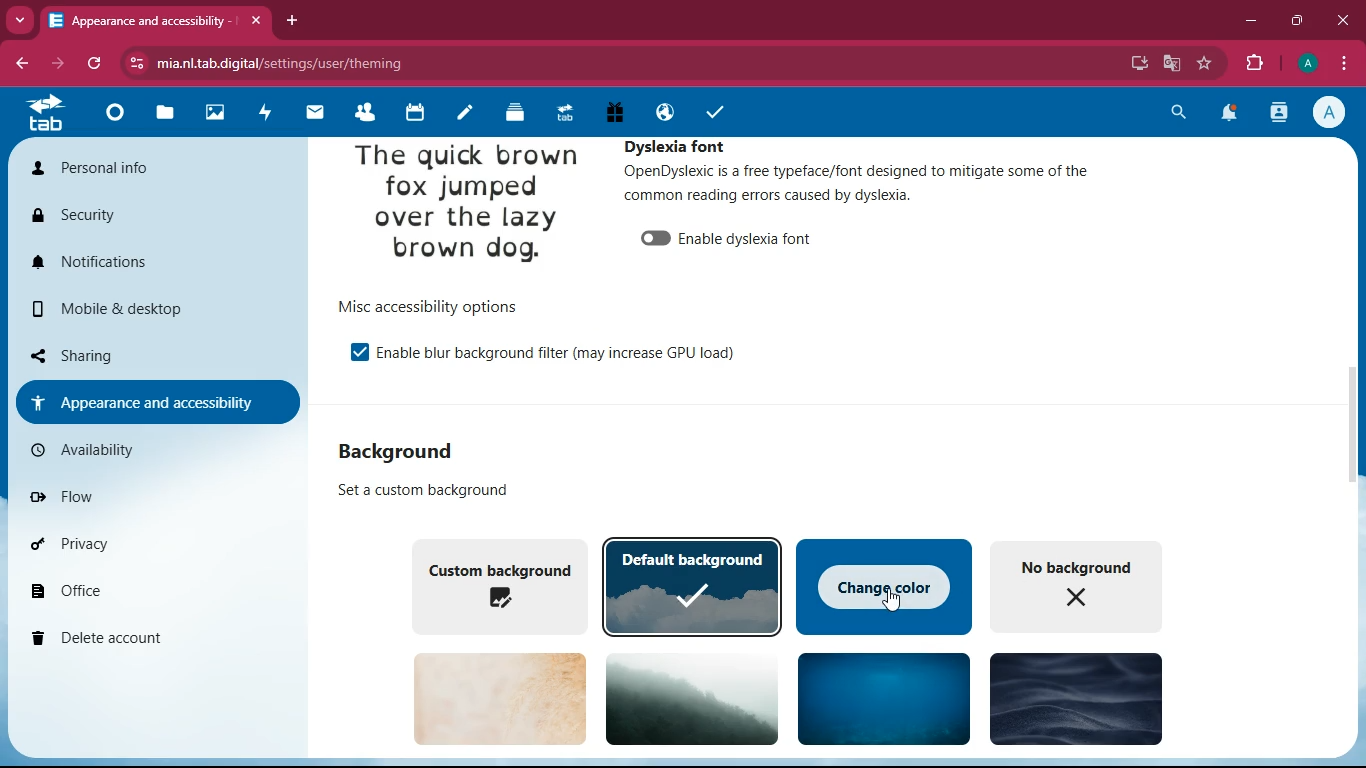 This screenshot has width=1366, height=768. What do you see at coordinates (681, 146) in the screenshot?
I see `dyslexia font` at bounding box center [681, 146].